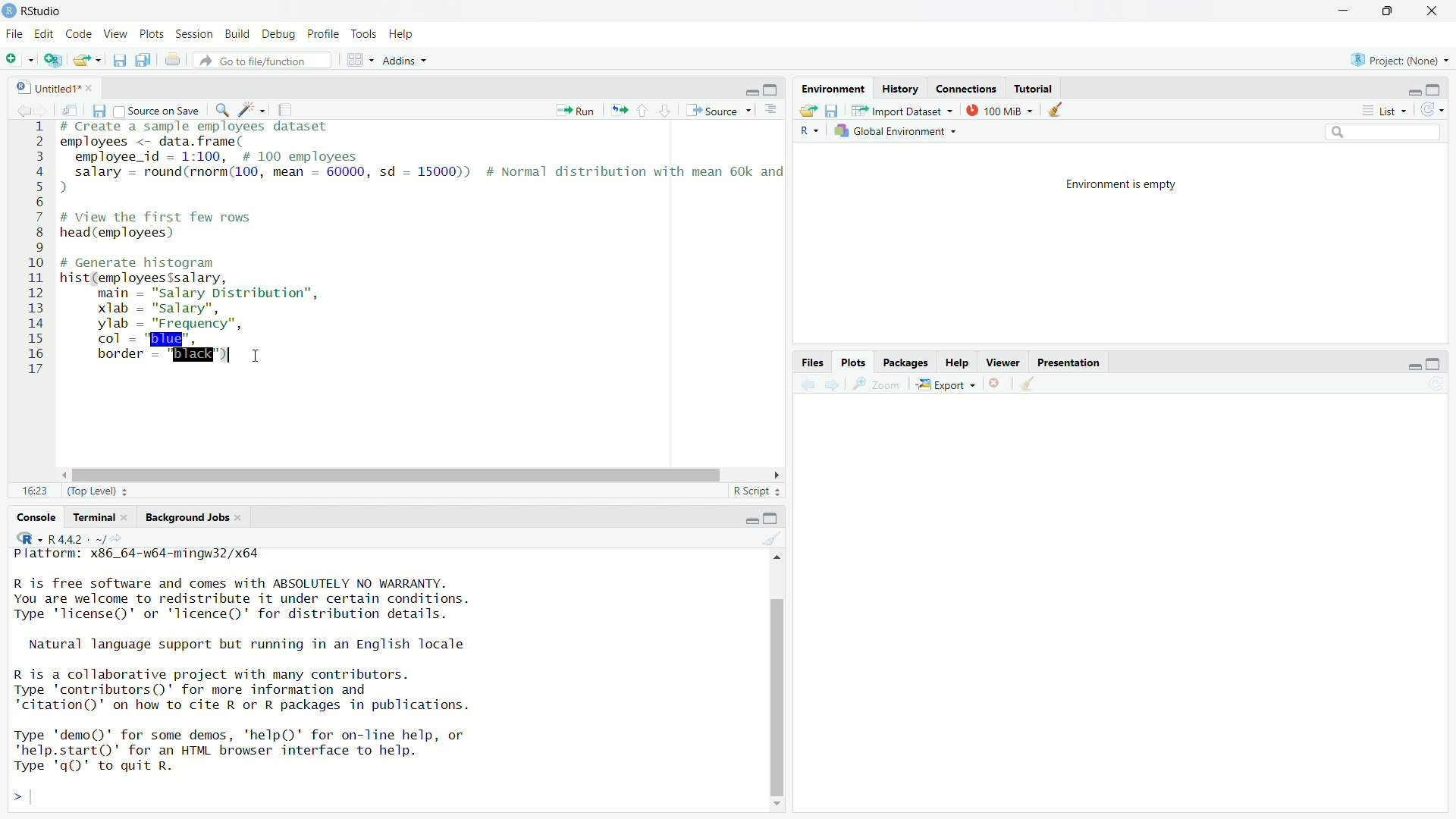  Describe the element at coordinates (16, 33) in the screenshot. I see `File` at that location.